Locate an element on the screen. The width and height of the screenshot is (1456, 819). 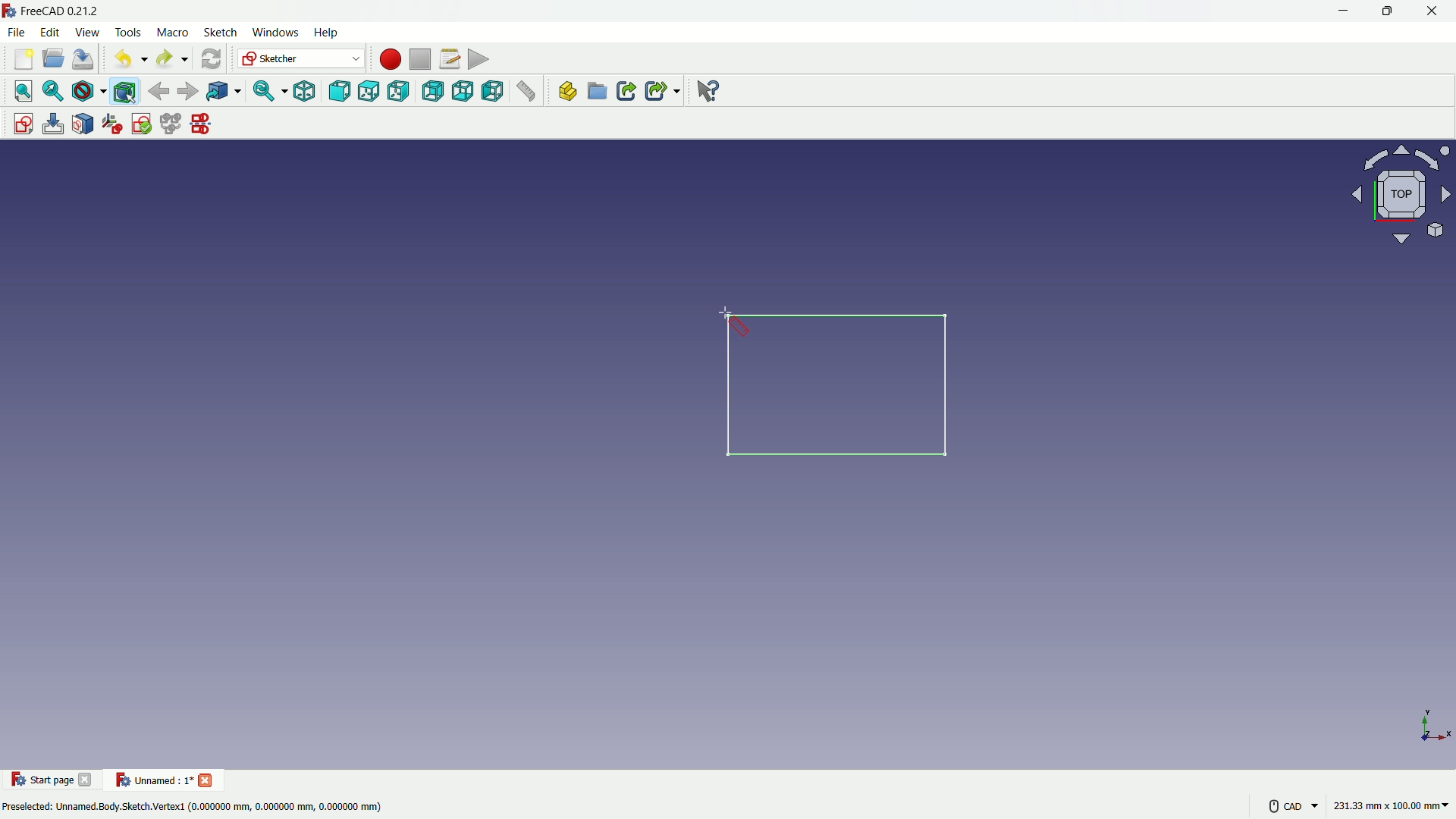
tools menu is located at coordinates (127, 32).